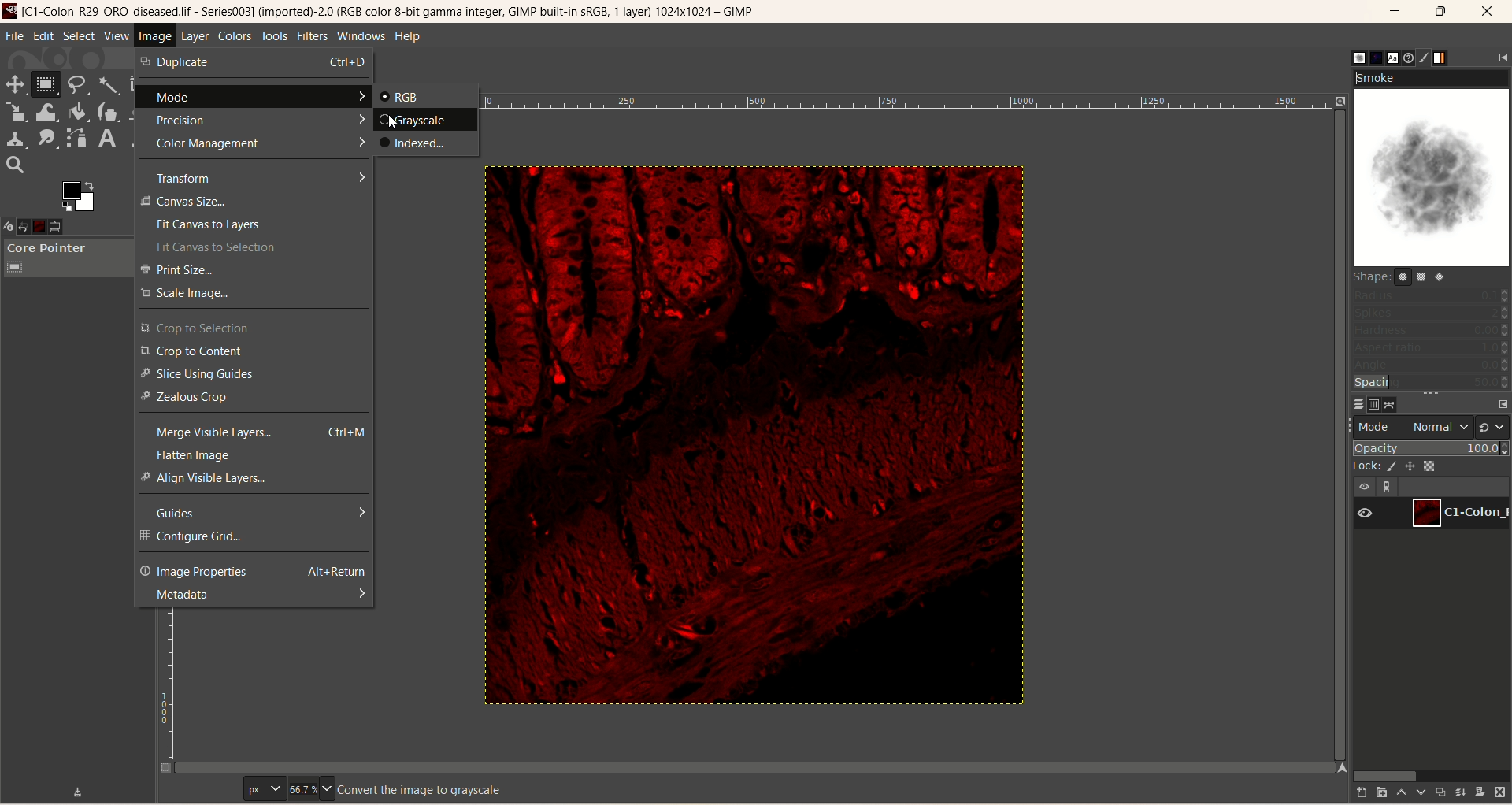 This screenshot has height=805, width=1512. I want to click on opacity, so click(1432, 448).